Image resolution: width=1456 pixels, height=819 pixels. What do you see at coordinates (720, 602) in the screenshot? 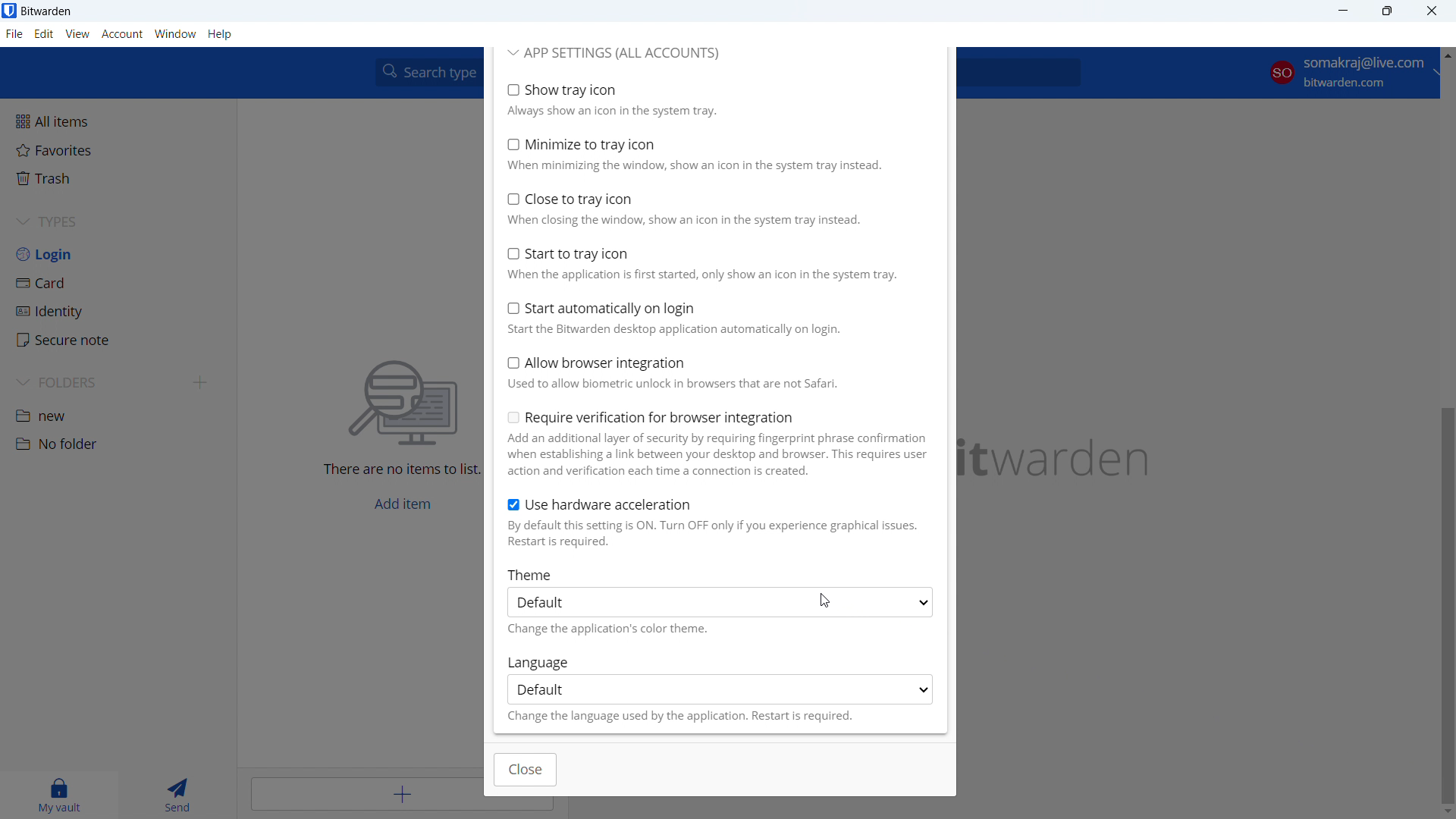
I see `select theme` at bounding box center [720, 602].